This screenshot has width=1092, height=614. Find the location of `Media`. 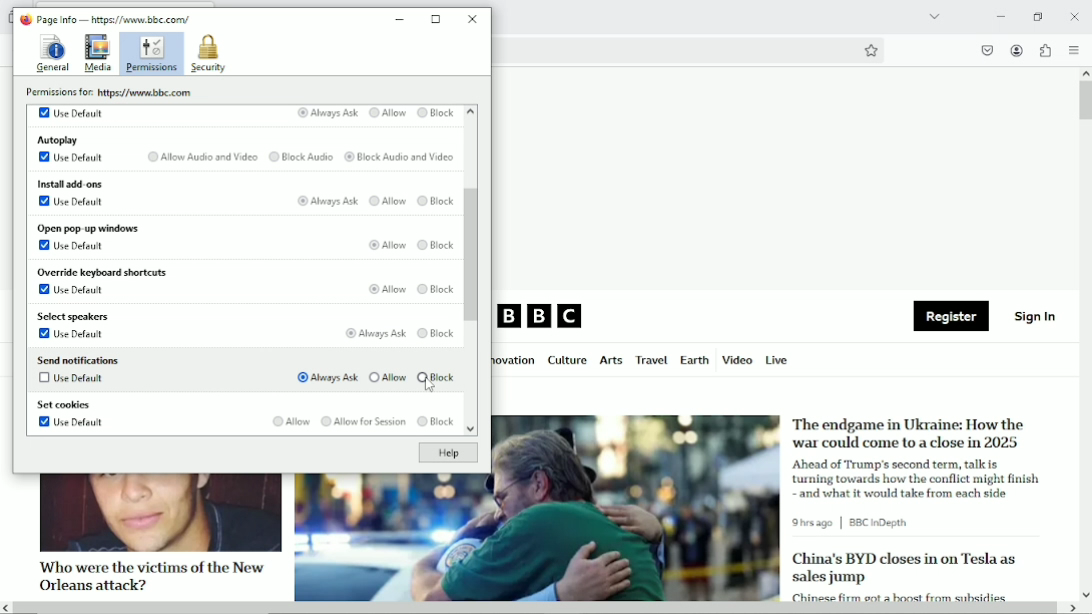

Media is located at coordinates (98, 54).